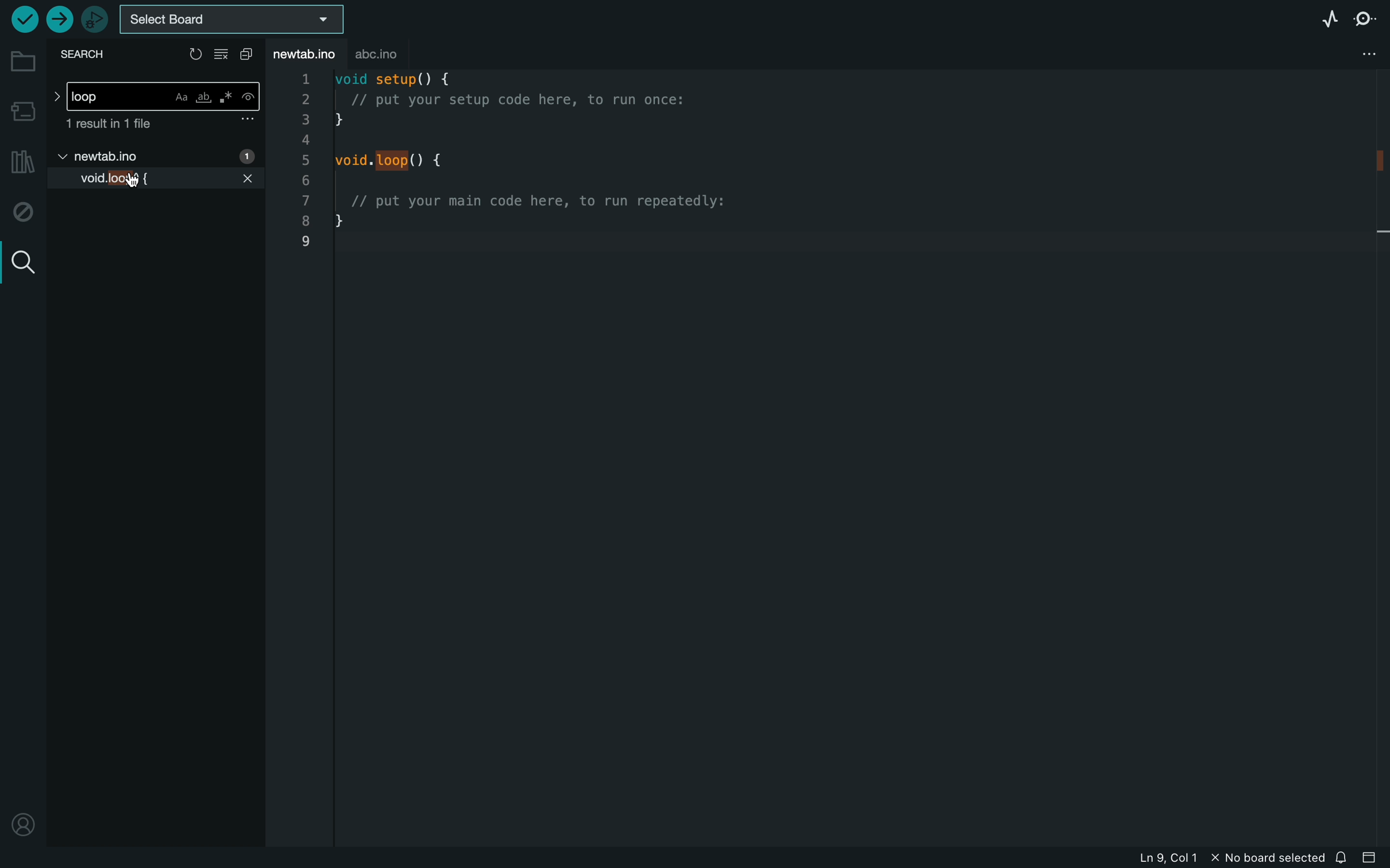 The width and height of the screenshot is (1390, 868). What do you see at coordinates (23, 20) in the screenshot?
I see `verify` at bounding box center [23, 20].